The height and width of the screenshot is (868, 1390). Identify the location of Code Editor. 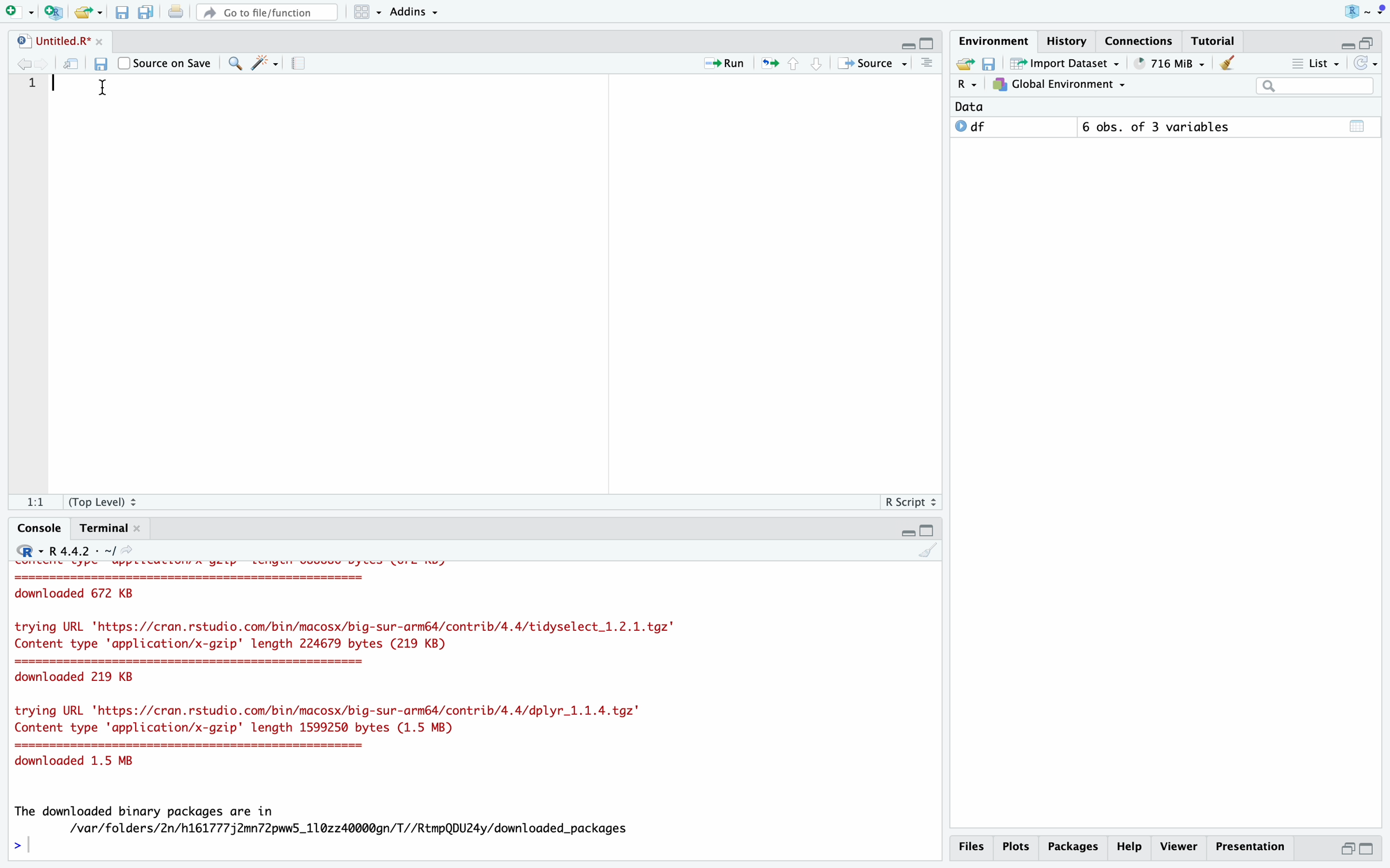
(500, 282).